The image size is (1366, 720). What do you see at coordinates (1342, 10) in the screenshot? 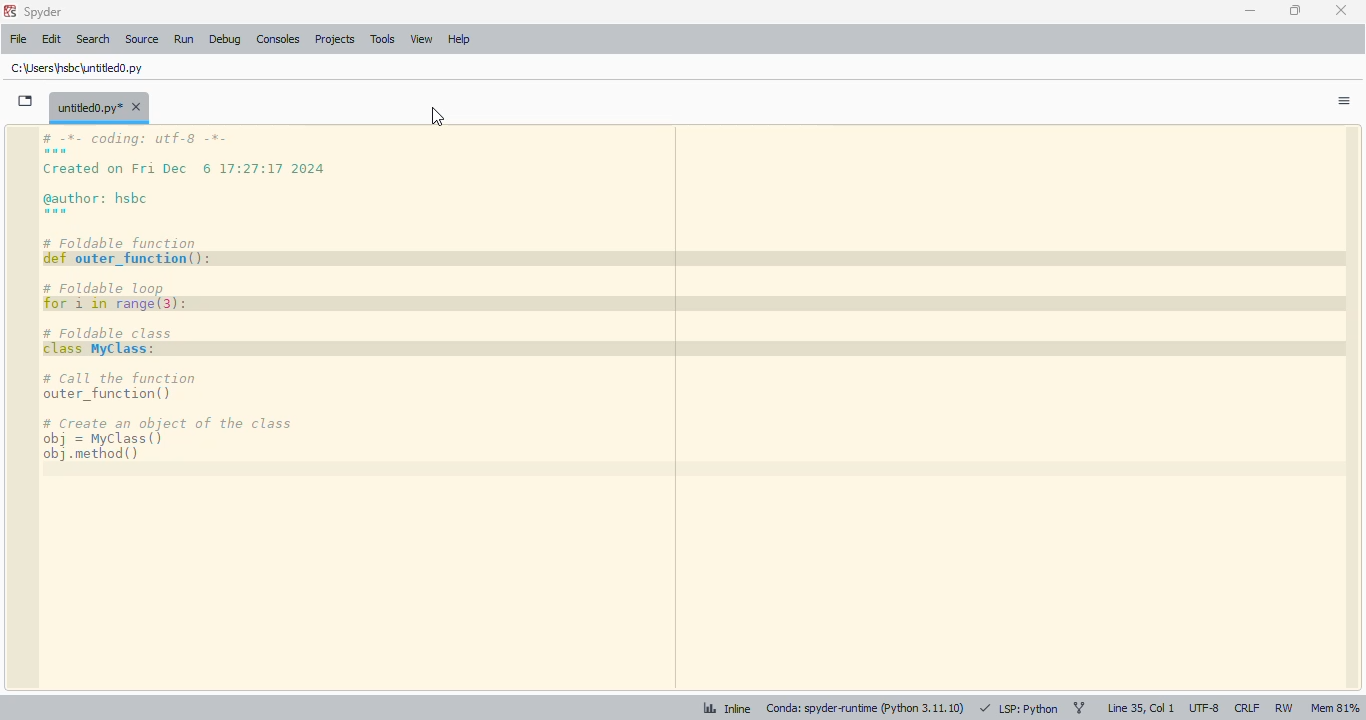
I see `close` at bounding box center [1342, 10].